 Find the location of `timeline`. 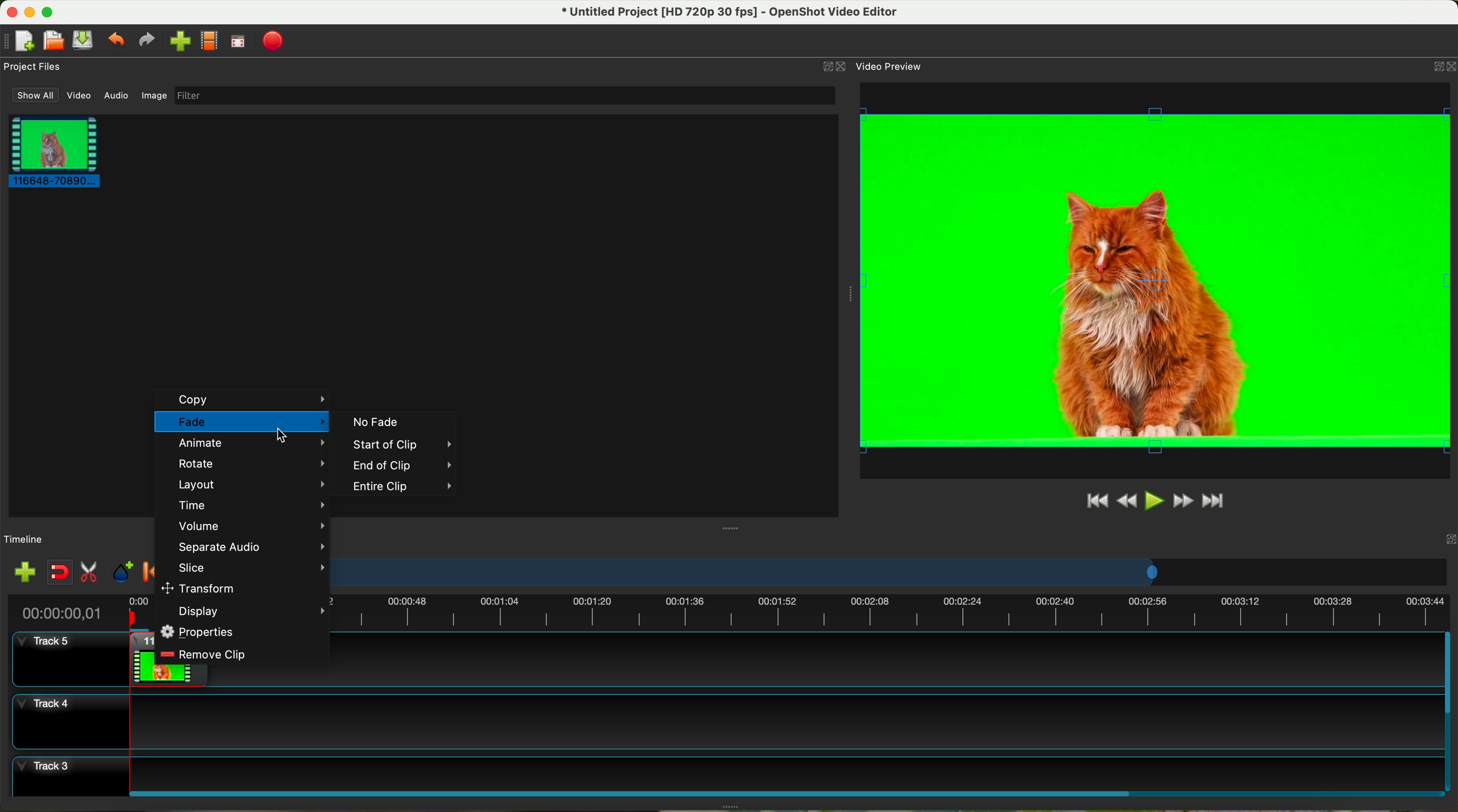

timeline is located at coordinates (893, 572).